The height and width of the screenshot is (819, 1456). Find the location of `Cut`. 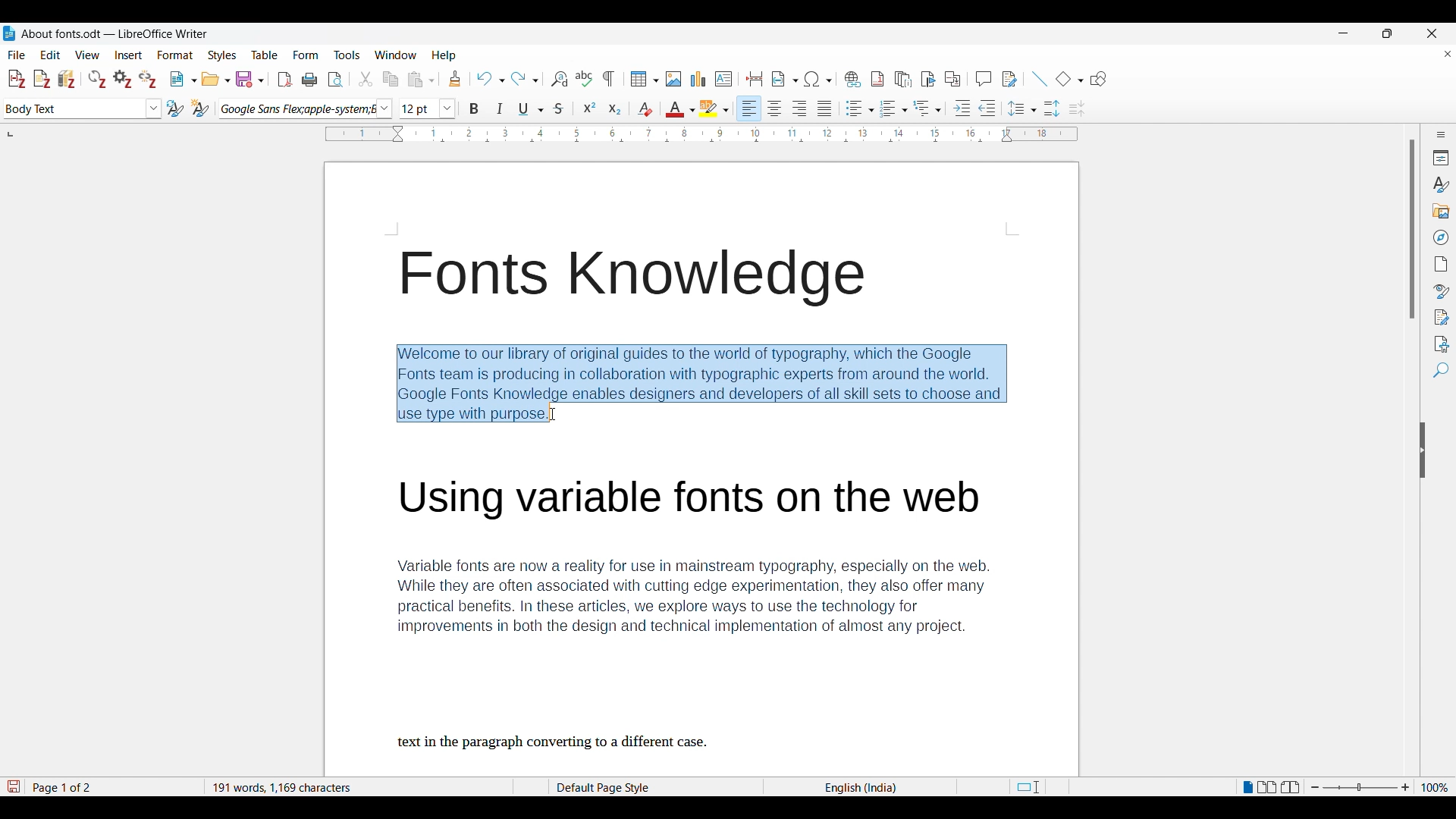

Cut is located at coordinates (366, 79).